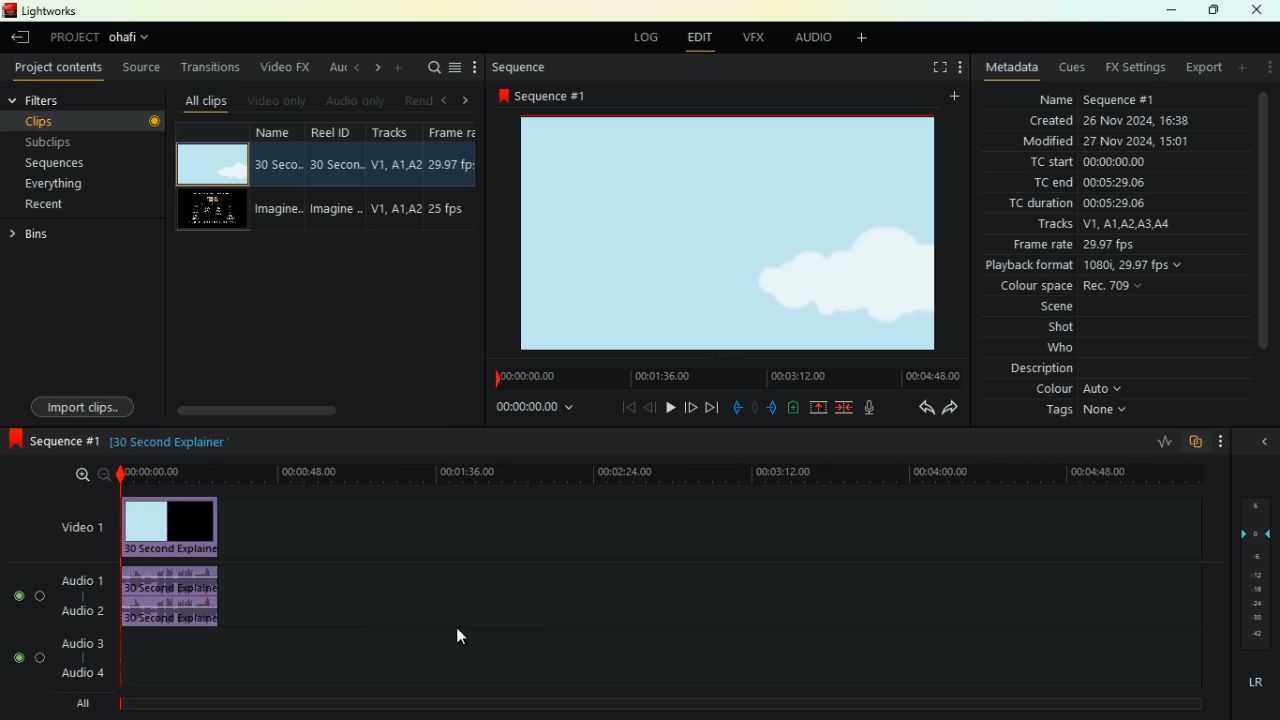 This screenshot has height=720, width=1280. Describe the element at coordinates (398, 175) in the screenshot. I see `tracks` at that location.